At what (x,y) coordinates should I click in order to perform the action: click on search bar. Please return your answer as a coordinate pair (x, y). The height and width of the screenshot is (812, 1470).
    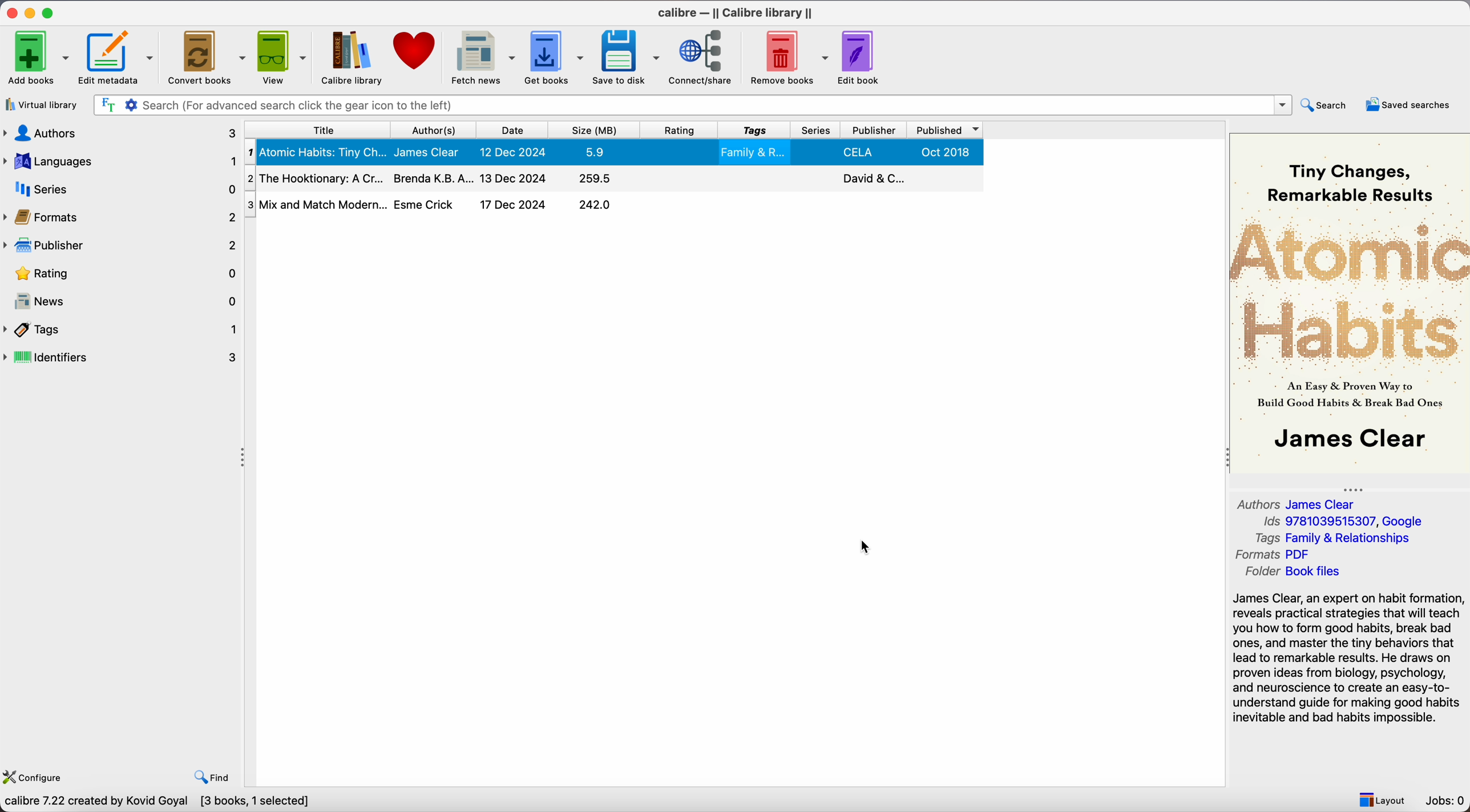
    Looking at the image, I should click on (694, 104).